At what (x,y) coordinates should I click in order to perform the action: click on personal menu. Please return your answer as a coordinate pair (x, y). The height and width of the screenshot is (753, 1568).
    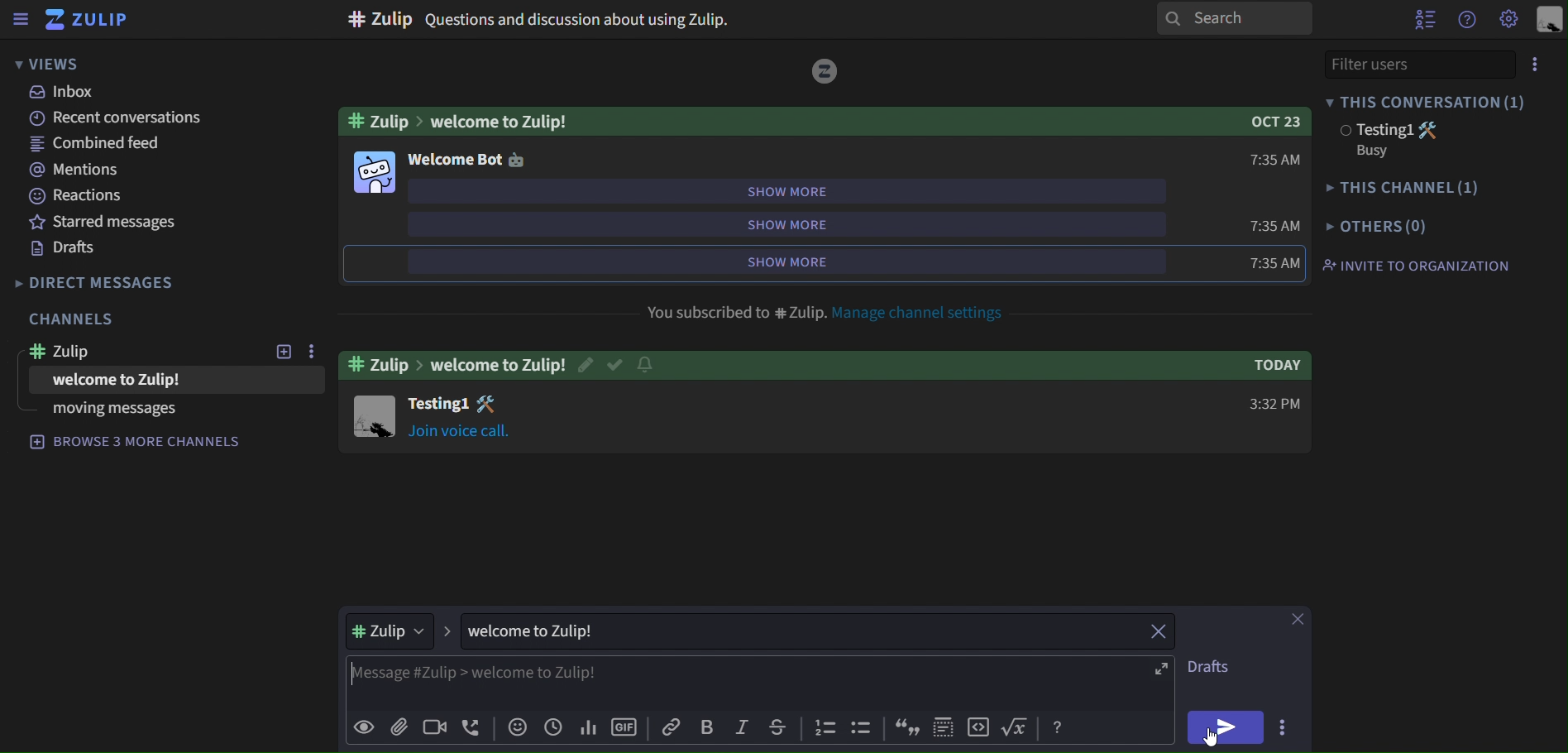
    Looking at the image, I should click on (1552, 18).